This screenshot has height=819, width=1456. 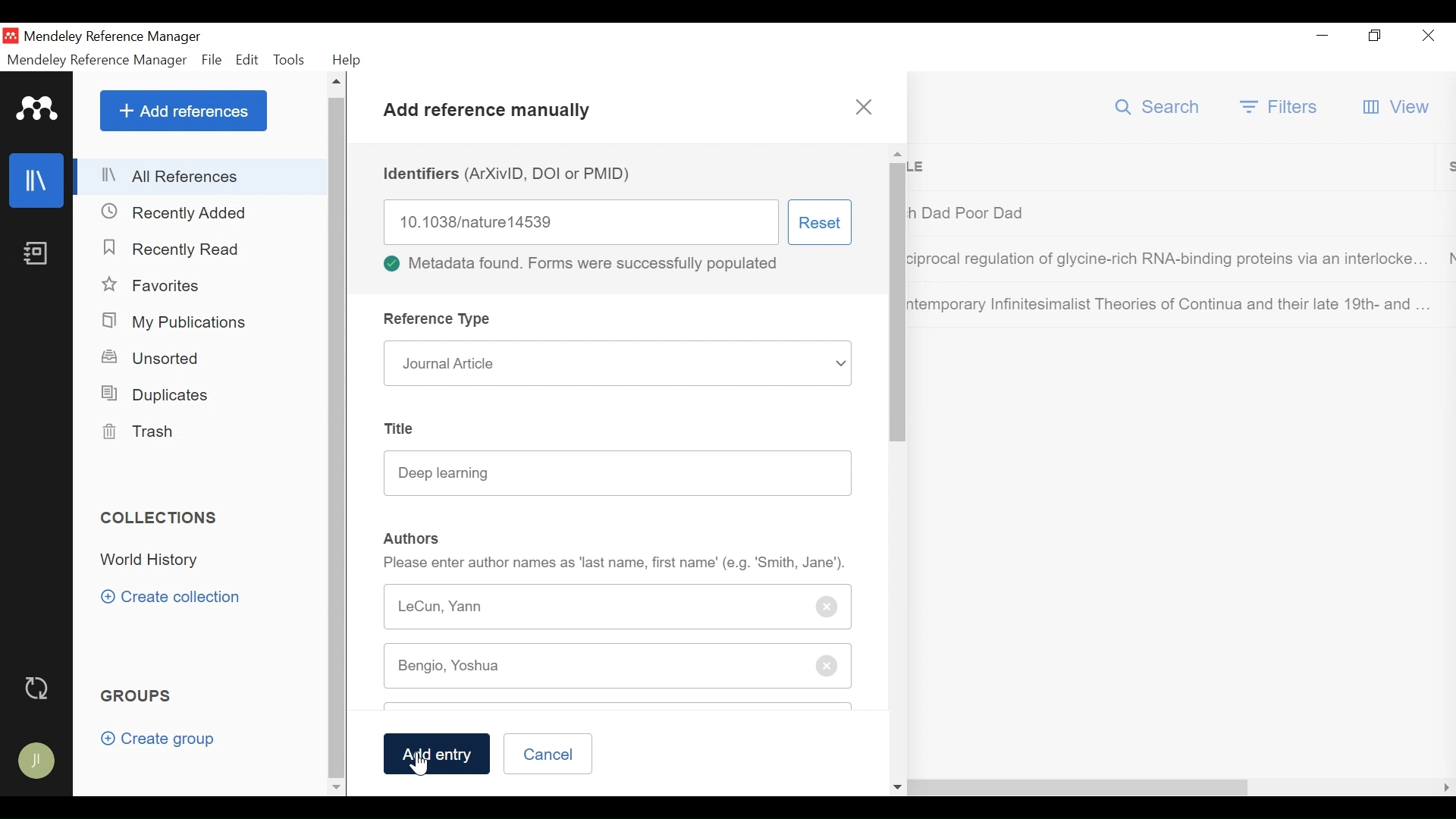 I want to click on Scroll up, so click(x=336, y=83).